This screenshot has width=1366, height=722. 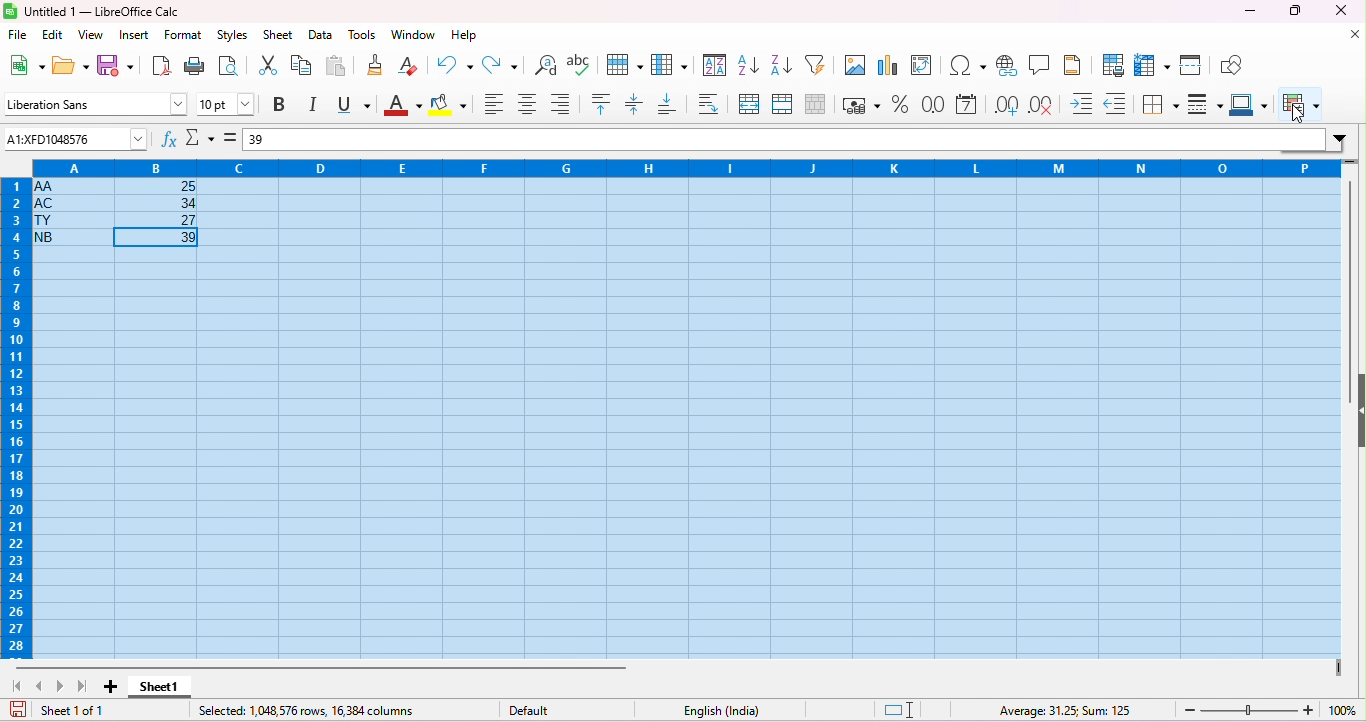 I want to click on show draw functions, so click(x=1232, y=63).